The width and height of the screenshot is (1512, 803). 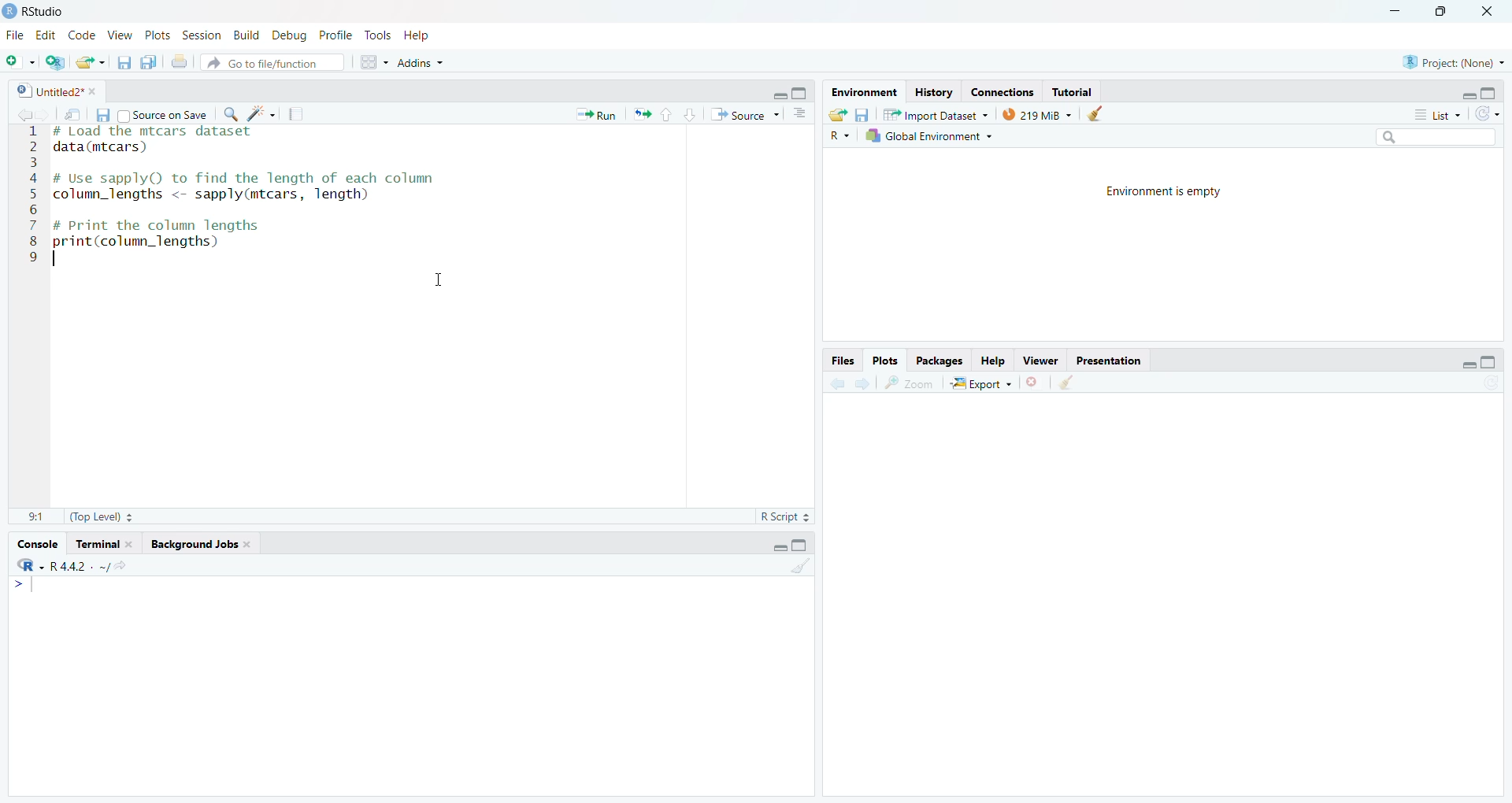 I want to click on Environment is empty, so click(x=1165, y=192).